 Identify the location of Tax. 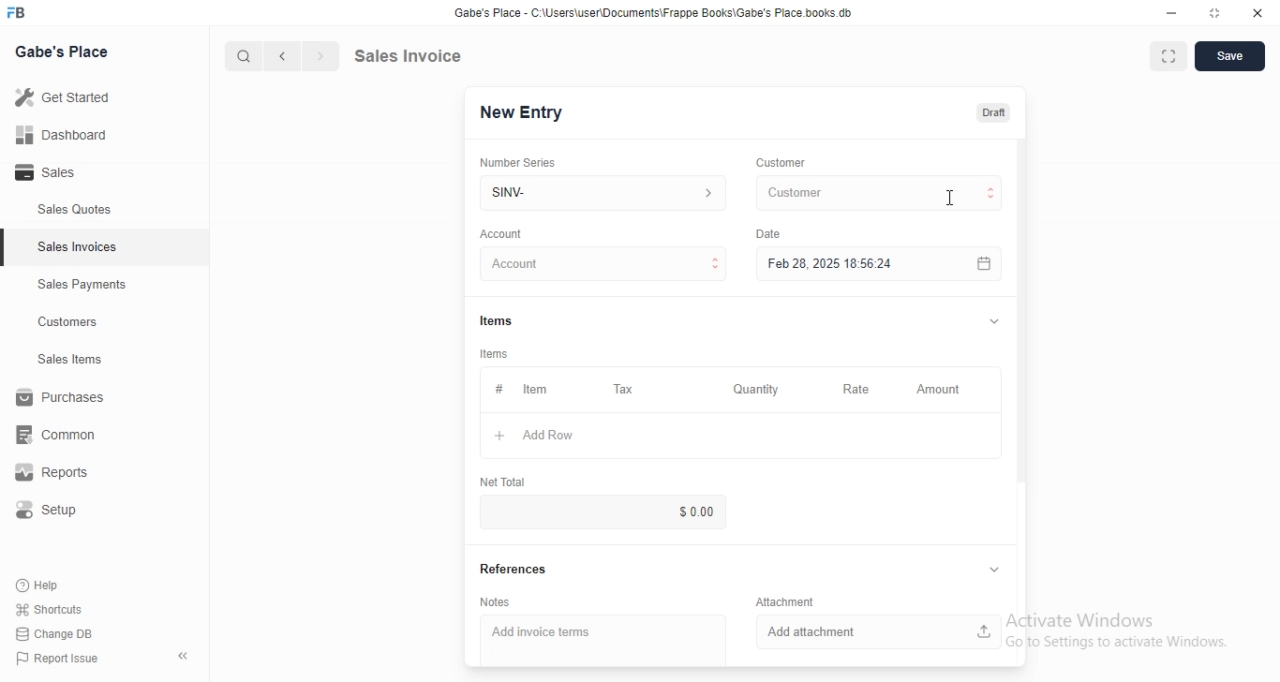
(628, 390).